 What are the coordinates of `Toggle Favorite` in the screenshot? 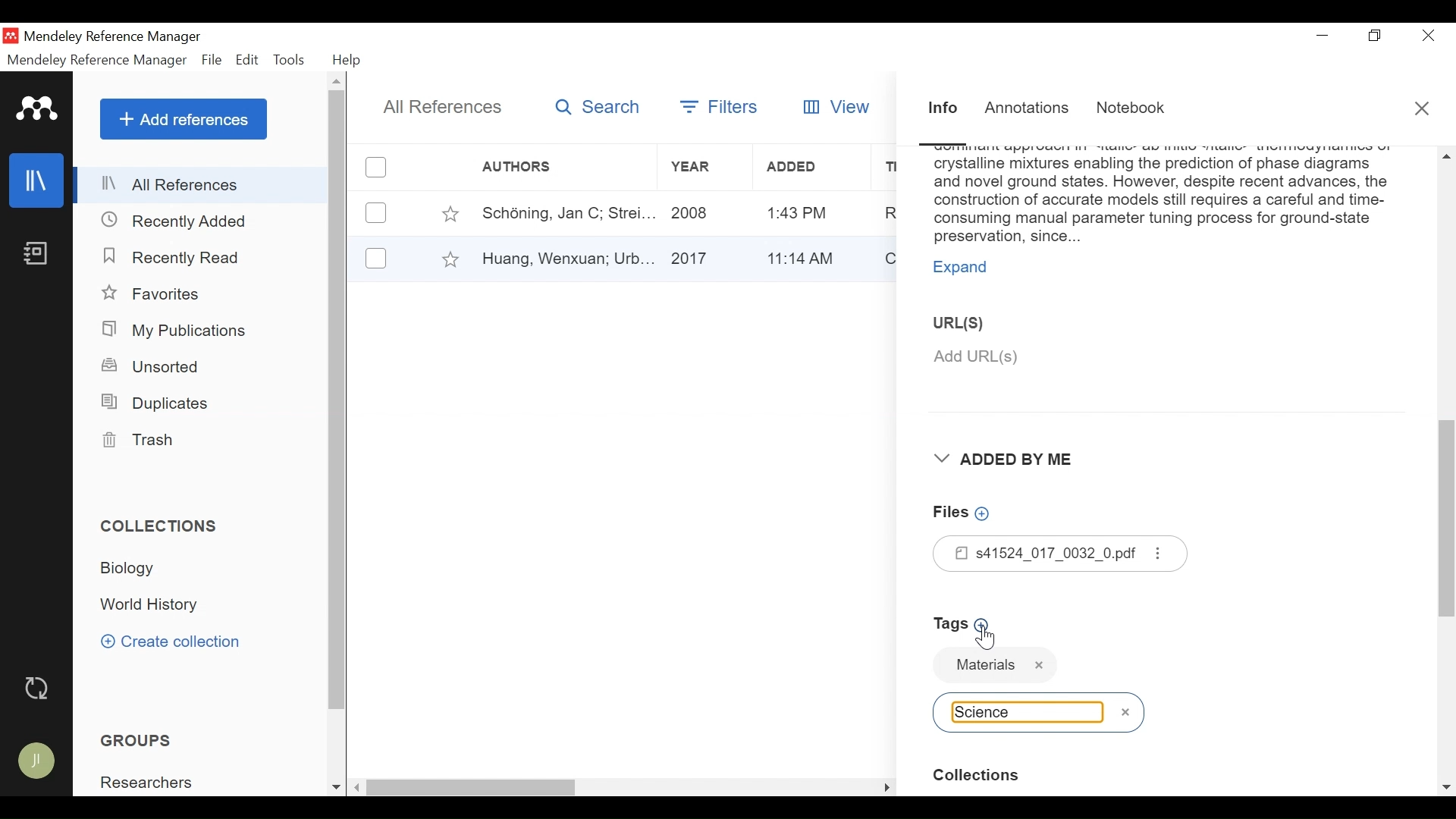 It's located at (450, 213).